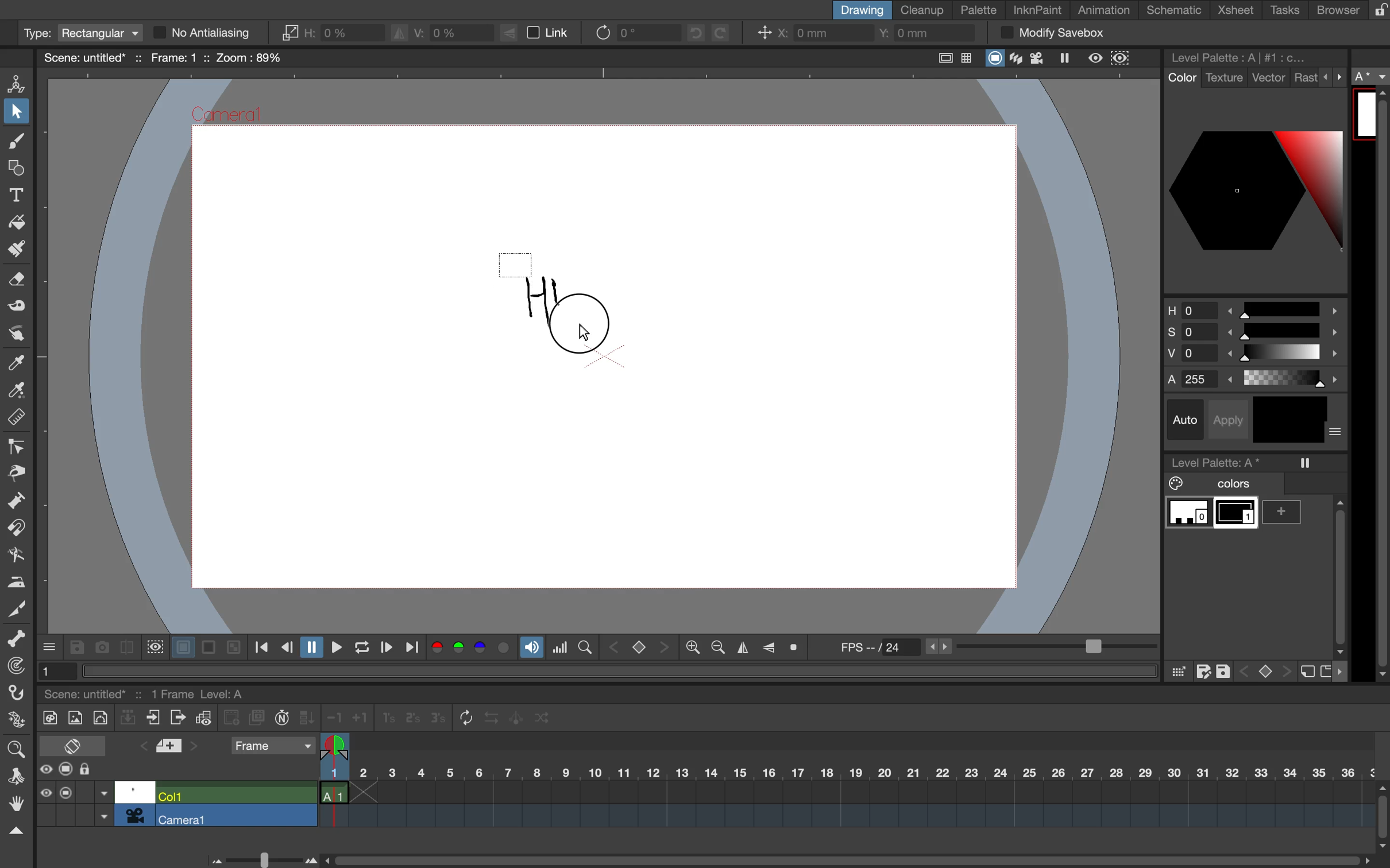 This screenshot has height=868, width=1390. I want to click on link, so click(542, 33).